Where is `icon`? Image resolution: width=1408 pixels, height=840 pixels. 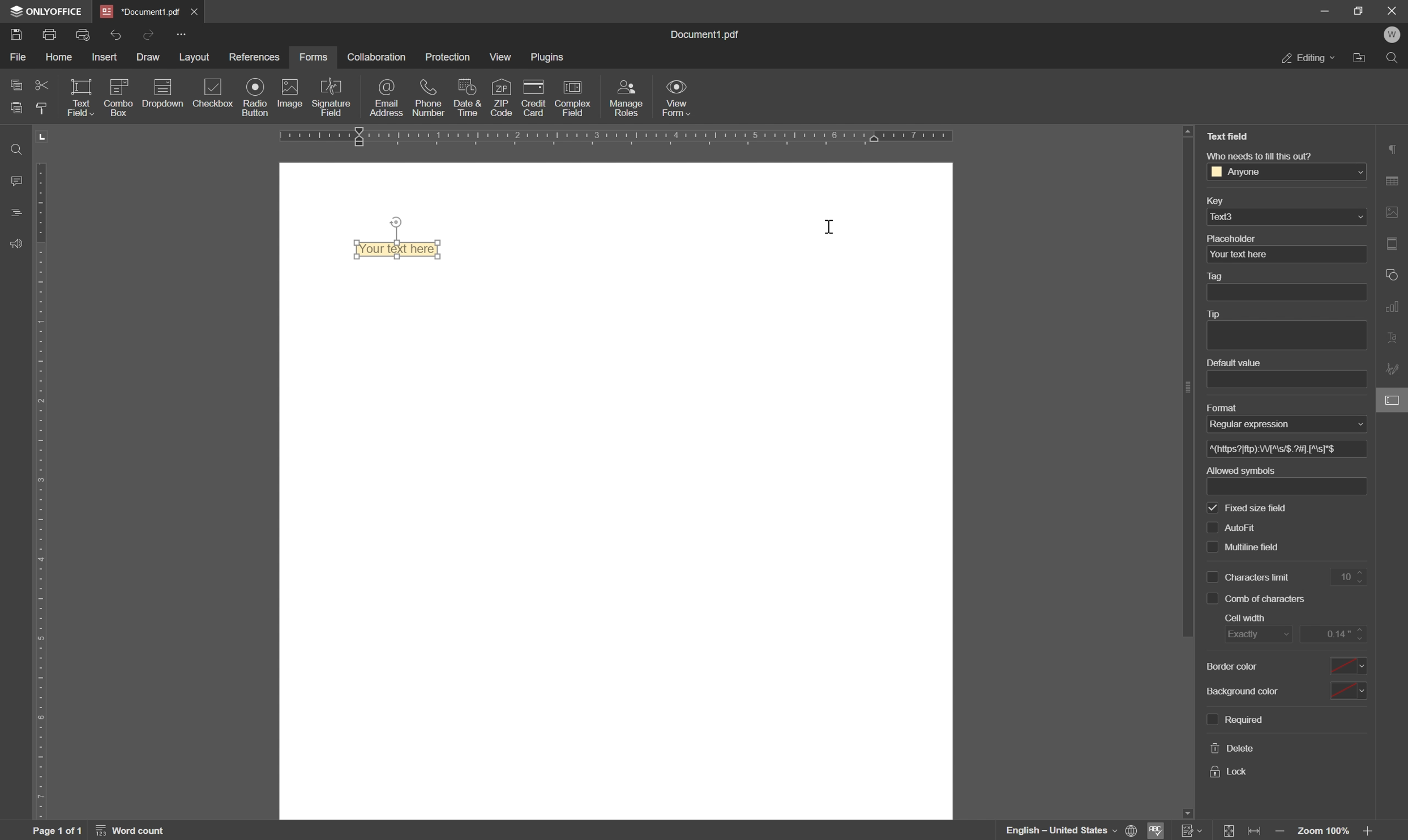 icon is located at coordinates (117, 96).